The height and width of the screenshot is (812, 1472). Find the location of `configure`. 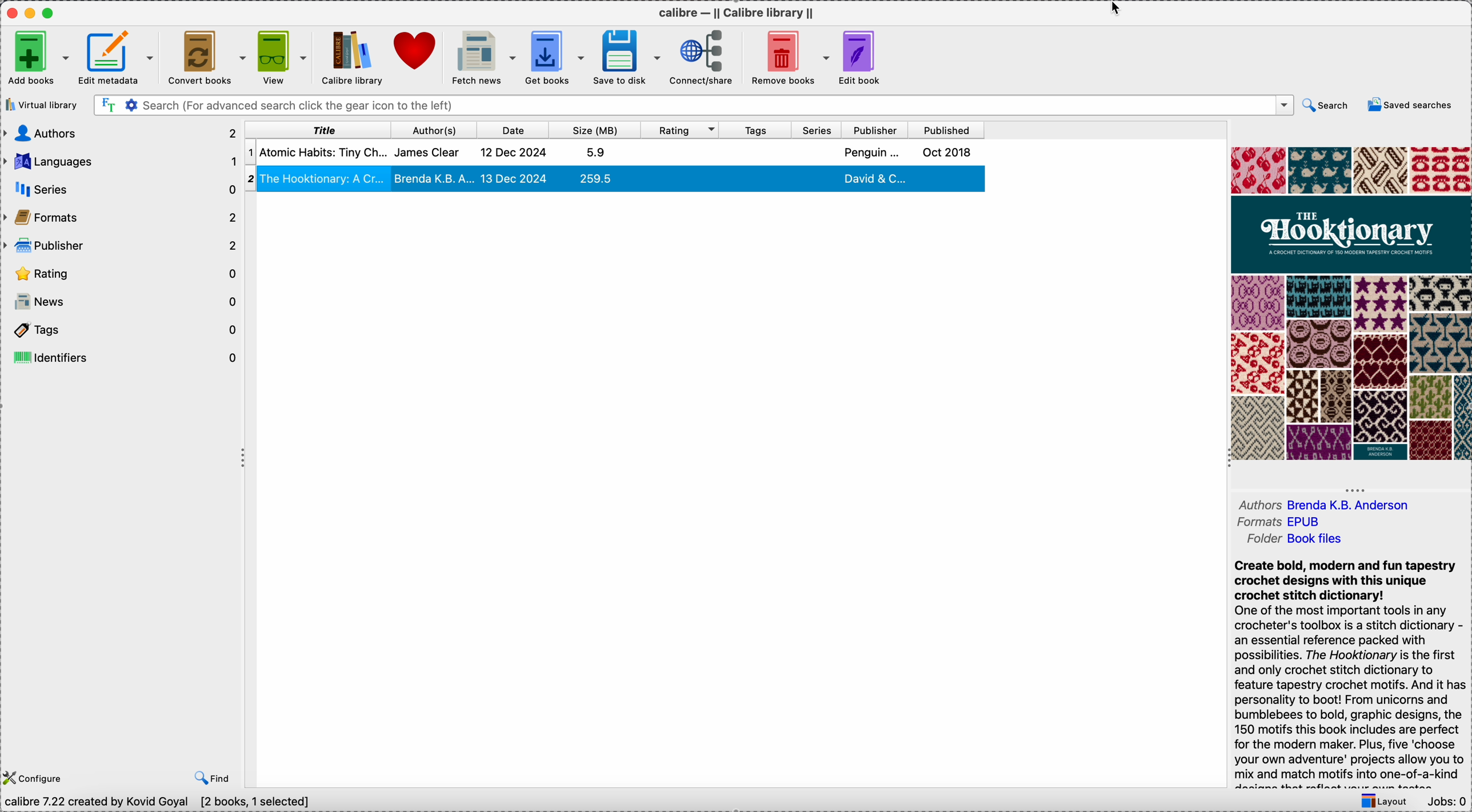

configure is located at coordinates (35, 777).